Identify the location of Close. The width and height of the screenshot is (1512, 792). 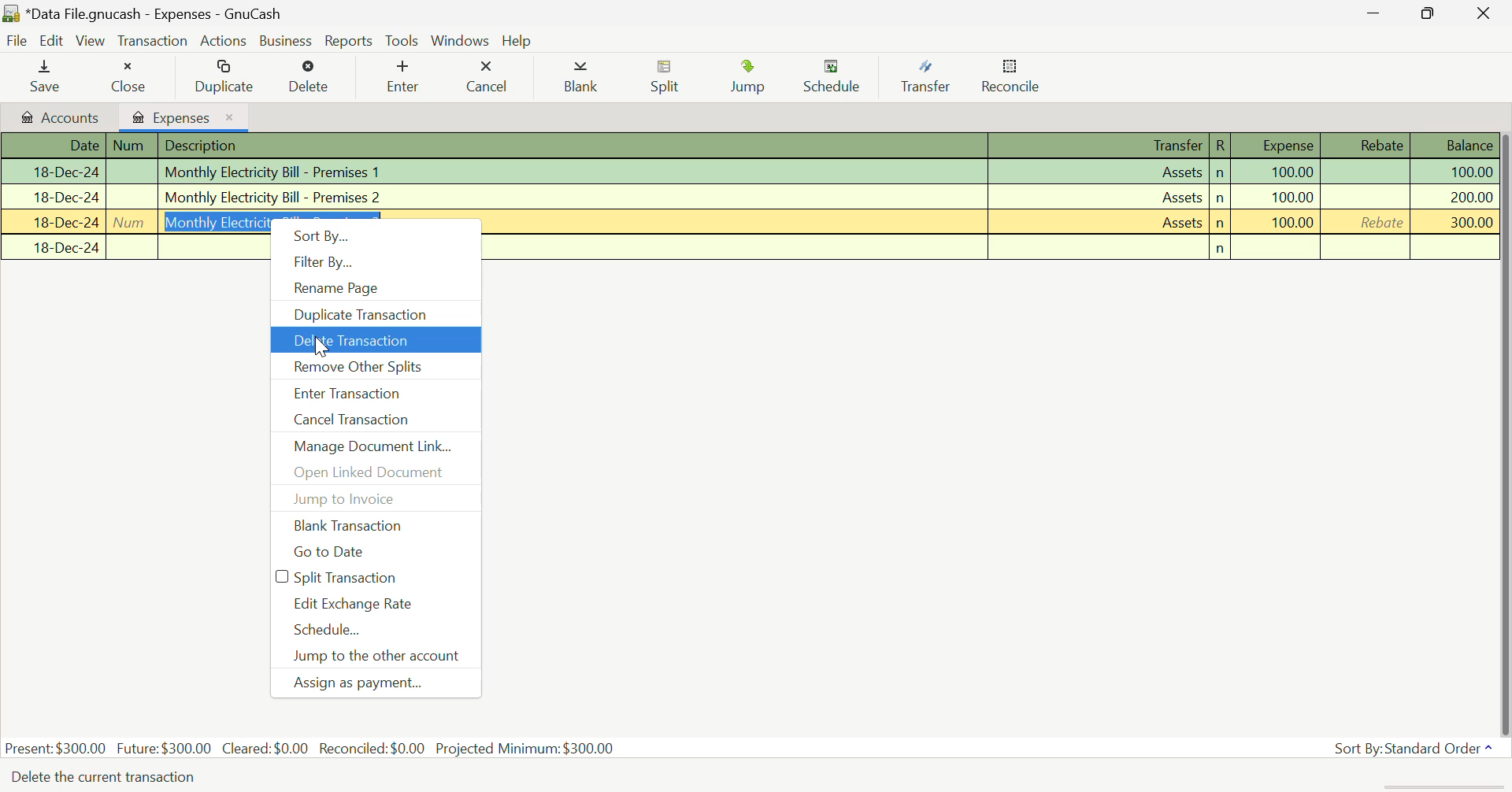
(128, 77).